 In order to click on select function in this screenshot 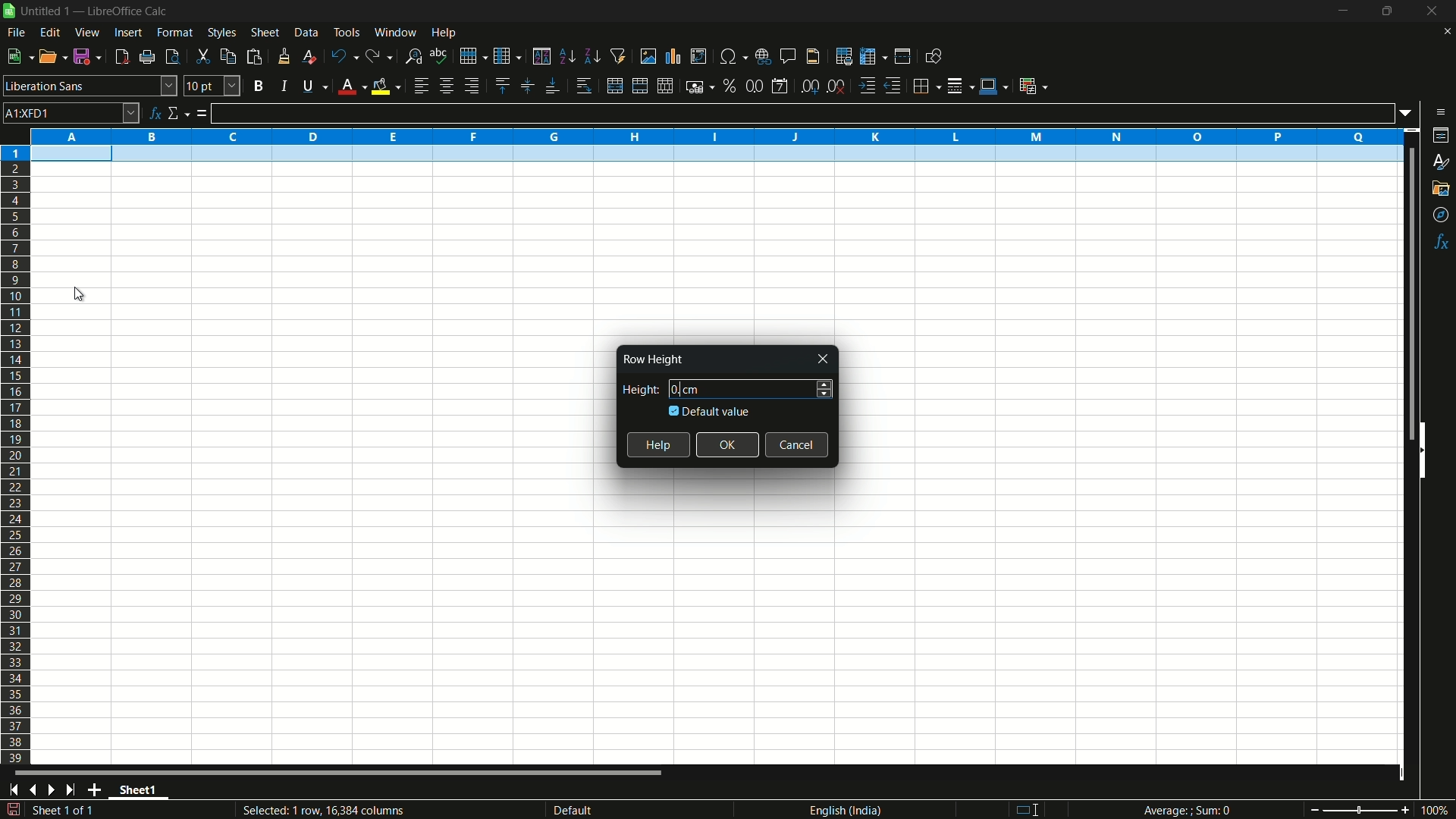, I will do `click(178, 114)`.